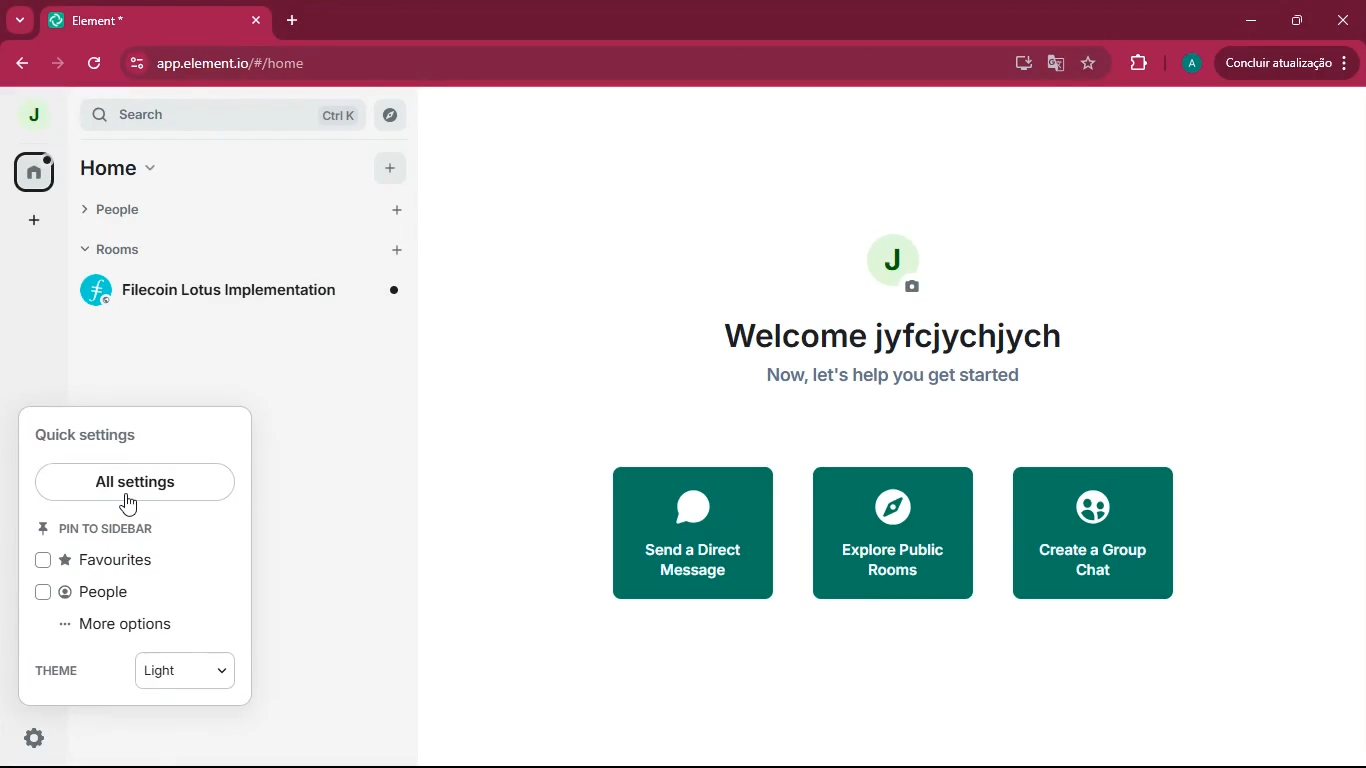  What do you see at coordinates (892, 336) in the screenshot?
I see `Welcome jyfcjychjych` at bounding box center [892, 336].